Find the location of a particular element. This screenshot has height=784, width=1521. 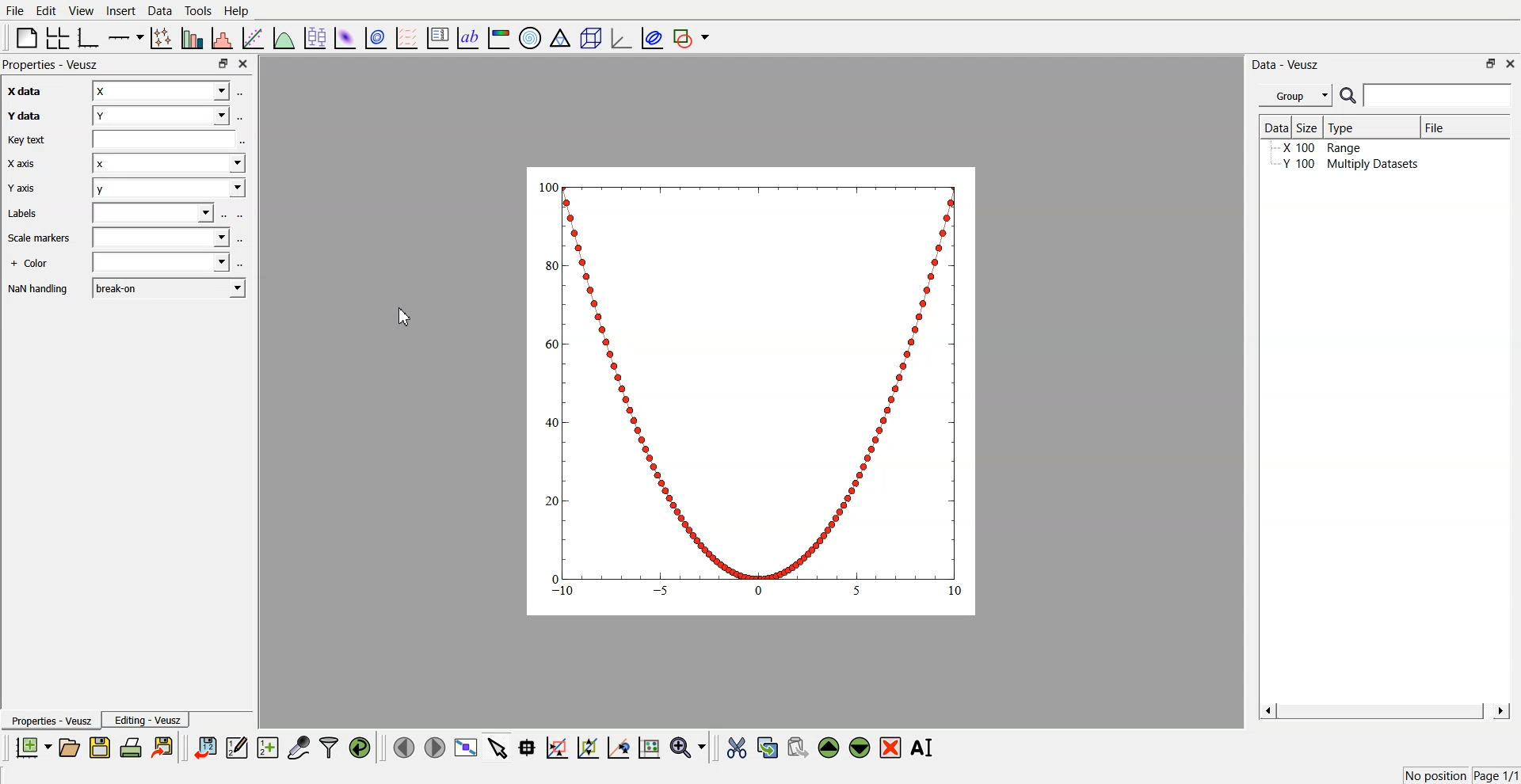

polar graph is located at coordinates (529, 40).